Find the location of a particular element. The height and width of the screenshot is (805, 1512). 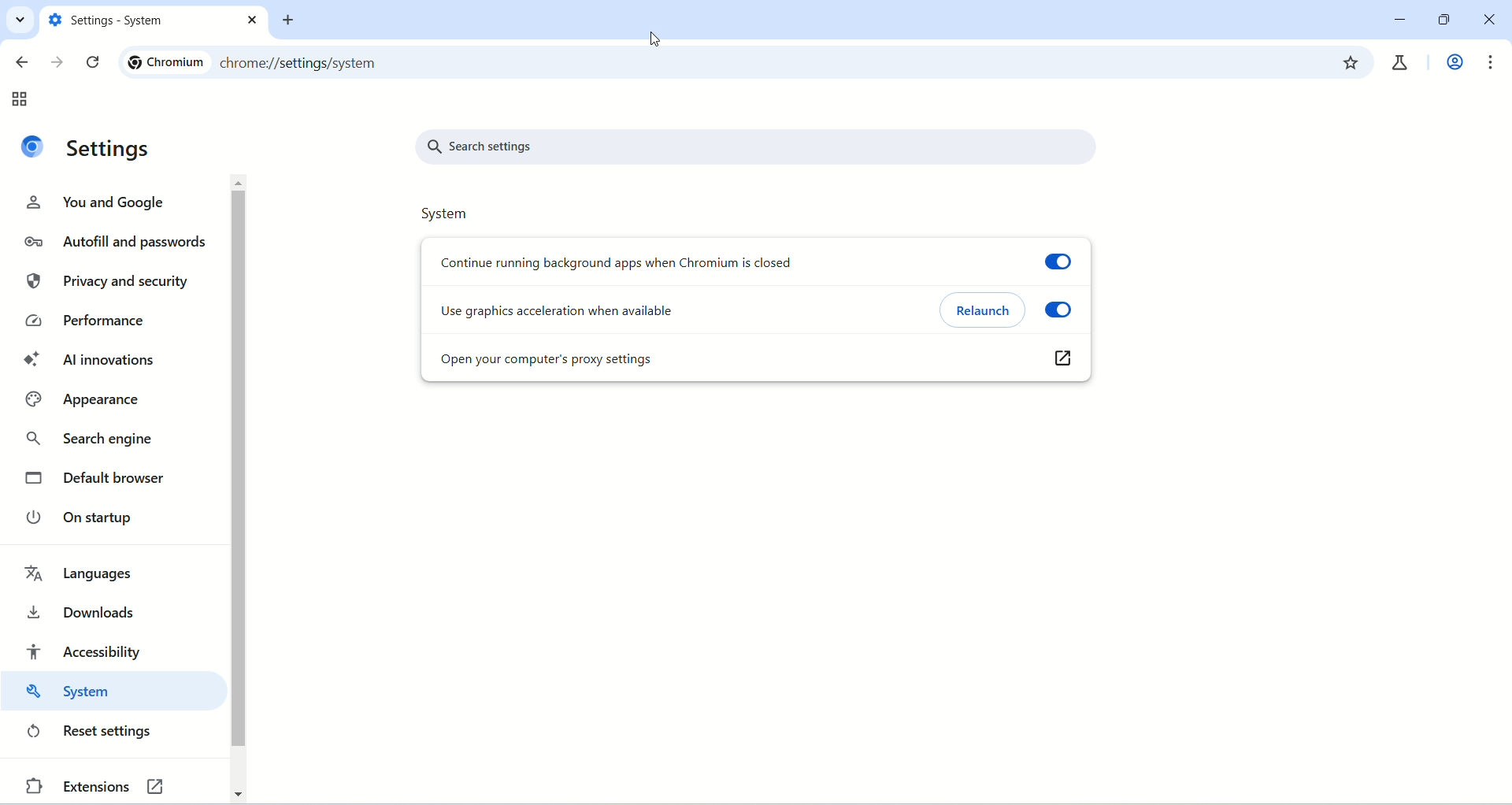

go back is located at coordinates (20, 64).